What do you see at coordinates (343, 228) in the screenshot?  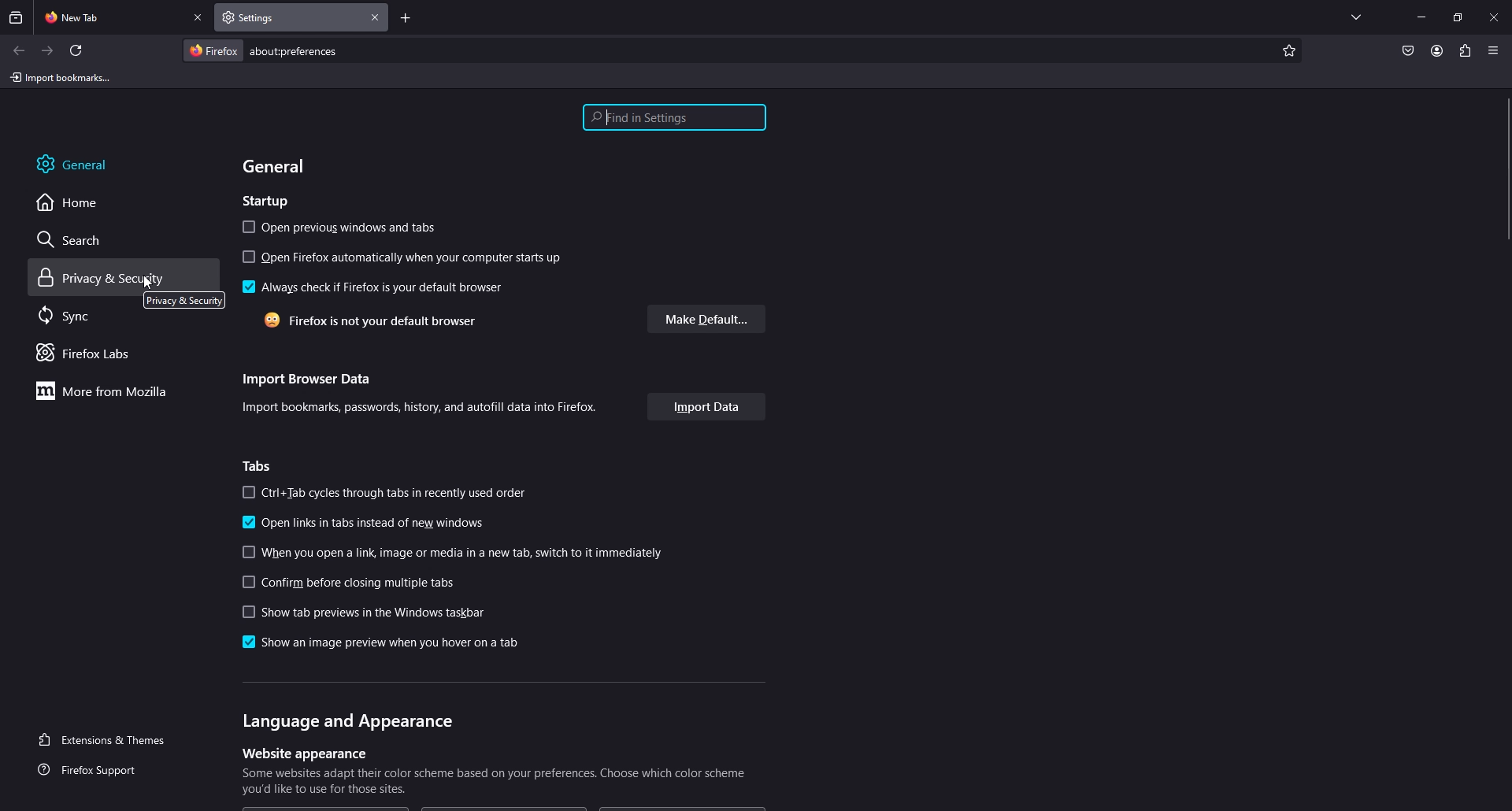 I see `open previous window and tab` at bounding box center [343, 228].